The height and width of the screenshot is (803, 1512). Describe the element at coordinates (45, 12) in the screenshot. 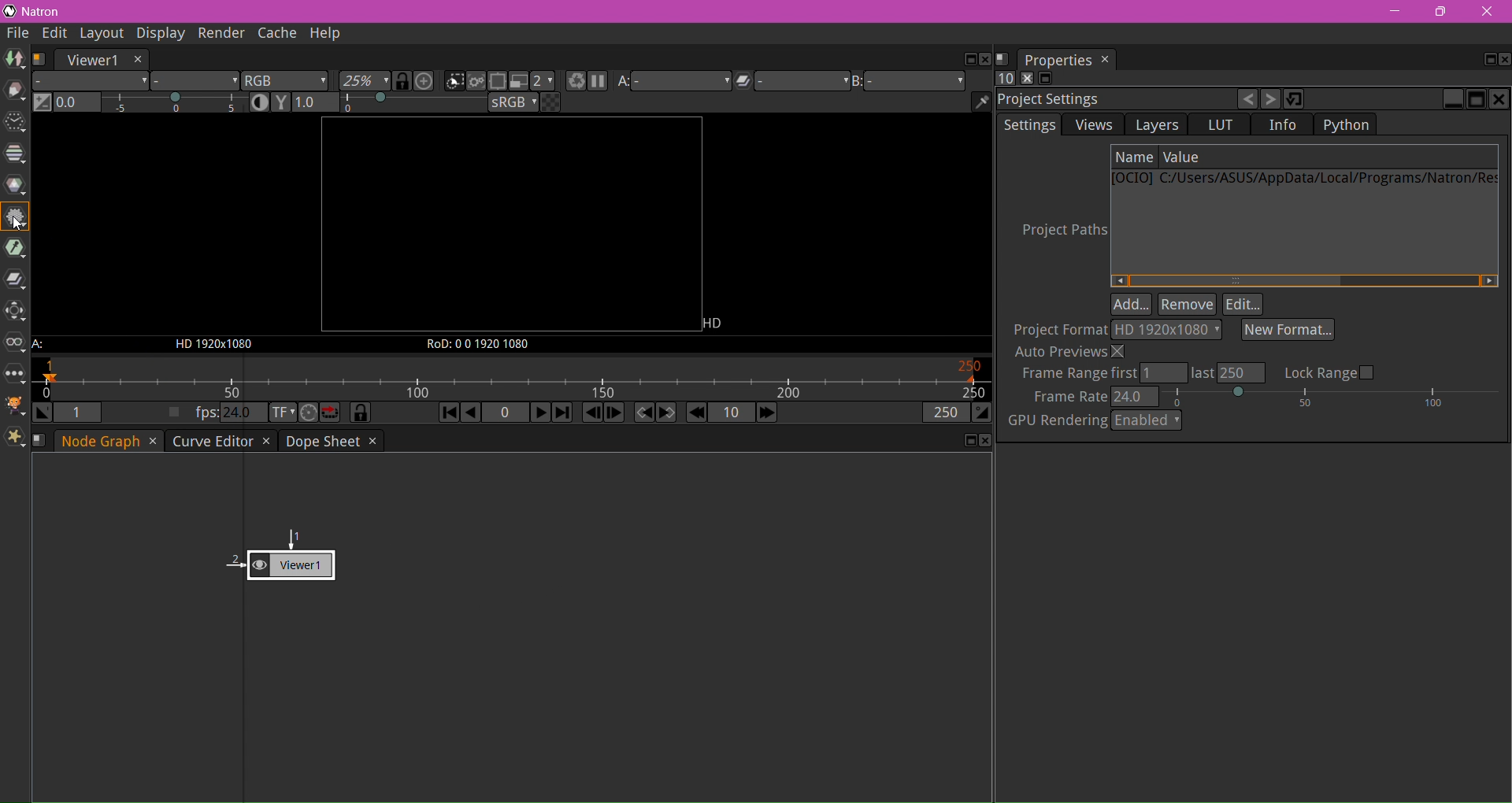

I see `Application Name` at that location.